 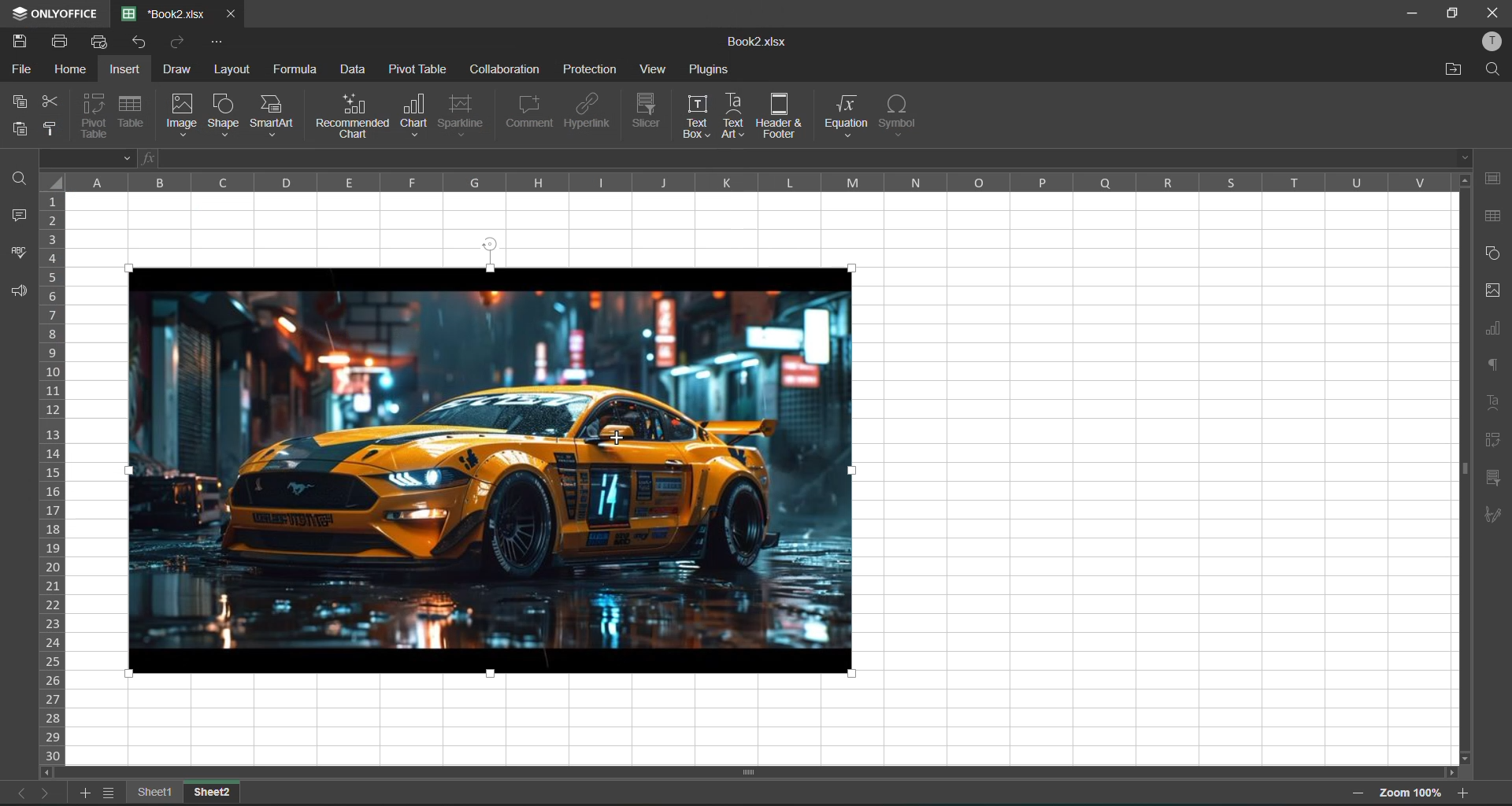 What do you see at coordinates (463, 115) in the screenshot?
I see `sparkline` at bounding box center [463, 115].